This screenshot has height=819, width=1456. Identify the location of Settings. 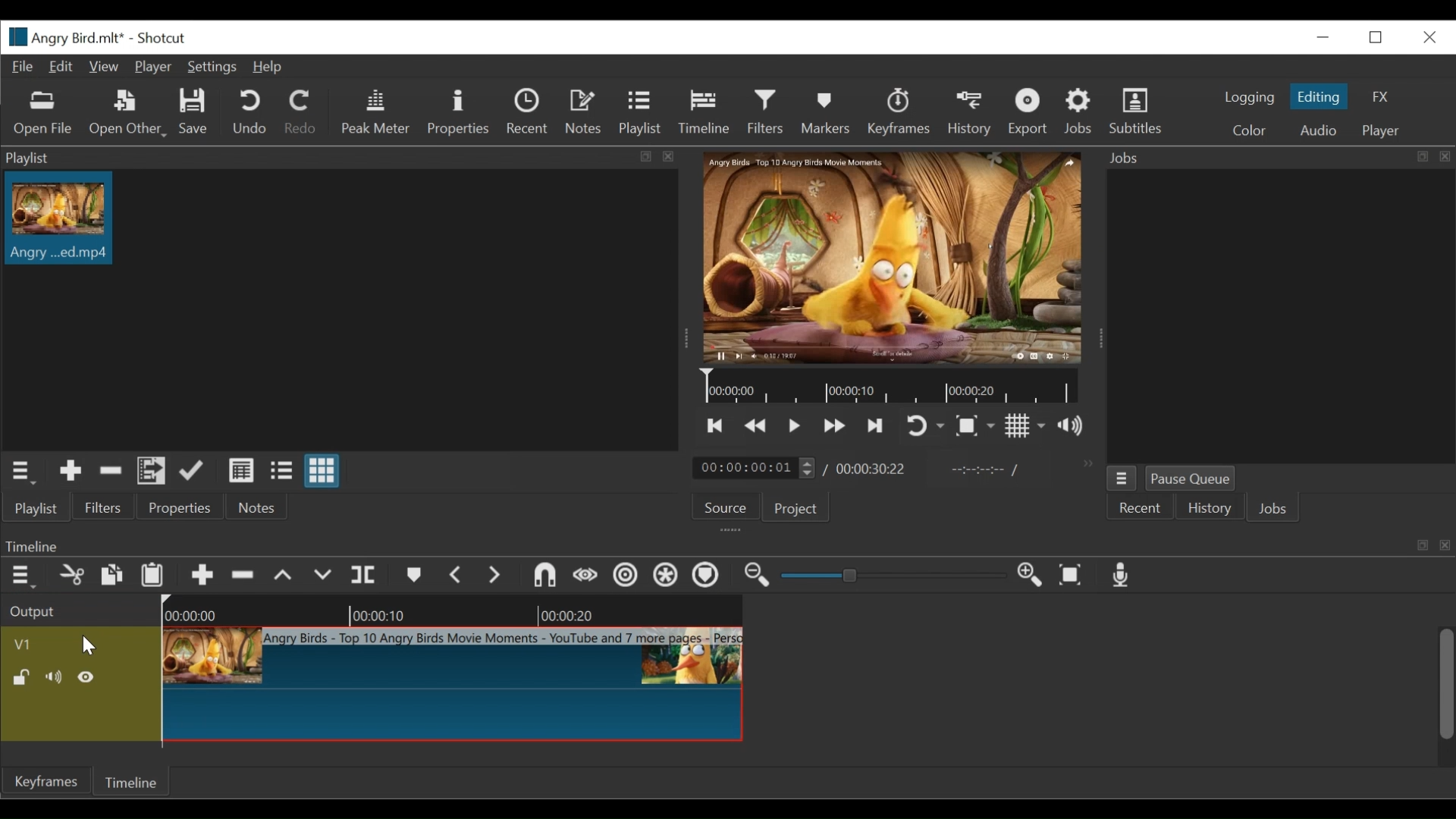
(212, 67).